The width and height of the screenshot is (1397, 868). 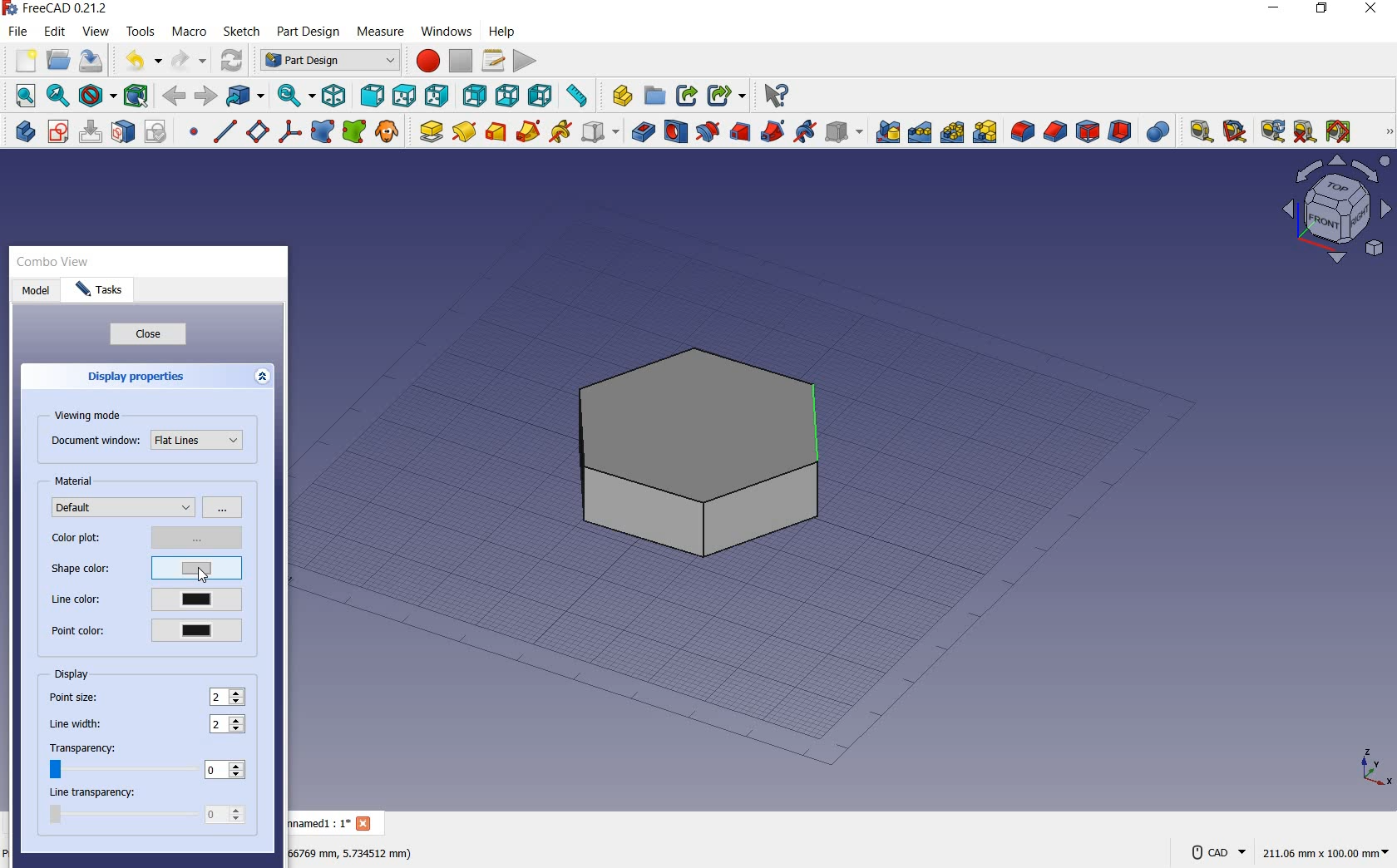 What do you see at coordinates (684, 96) in the screenshot?
I see `make link` at bounding box center [684, 96].